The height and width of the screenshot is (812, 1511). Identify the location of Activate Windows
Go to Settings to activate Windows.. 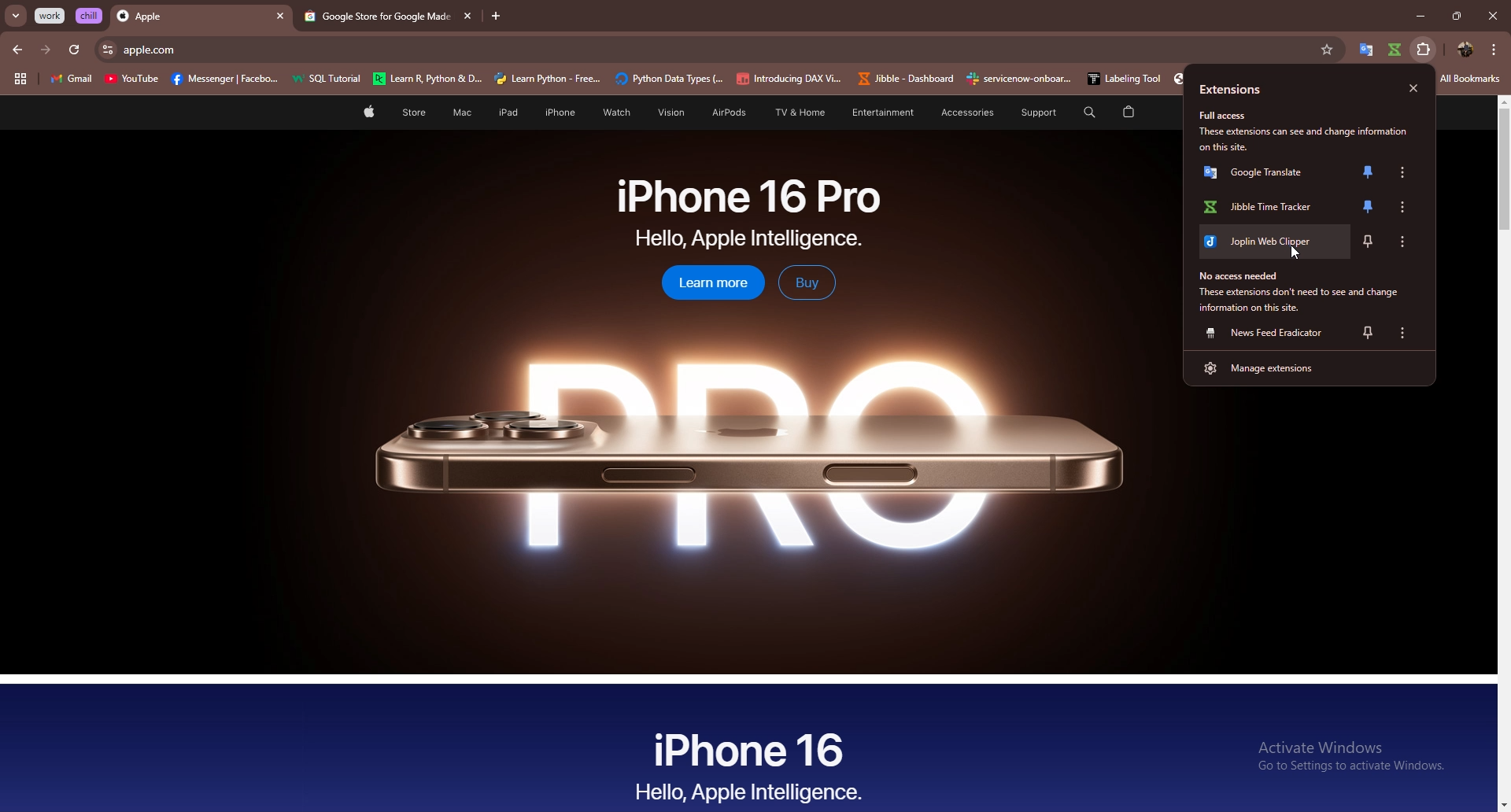
(1345, 758).